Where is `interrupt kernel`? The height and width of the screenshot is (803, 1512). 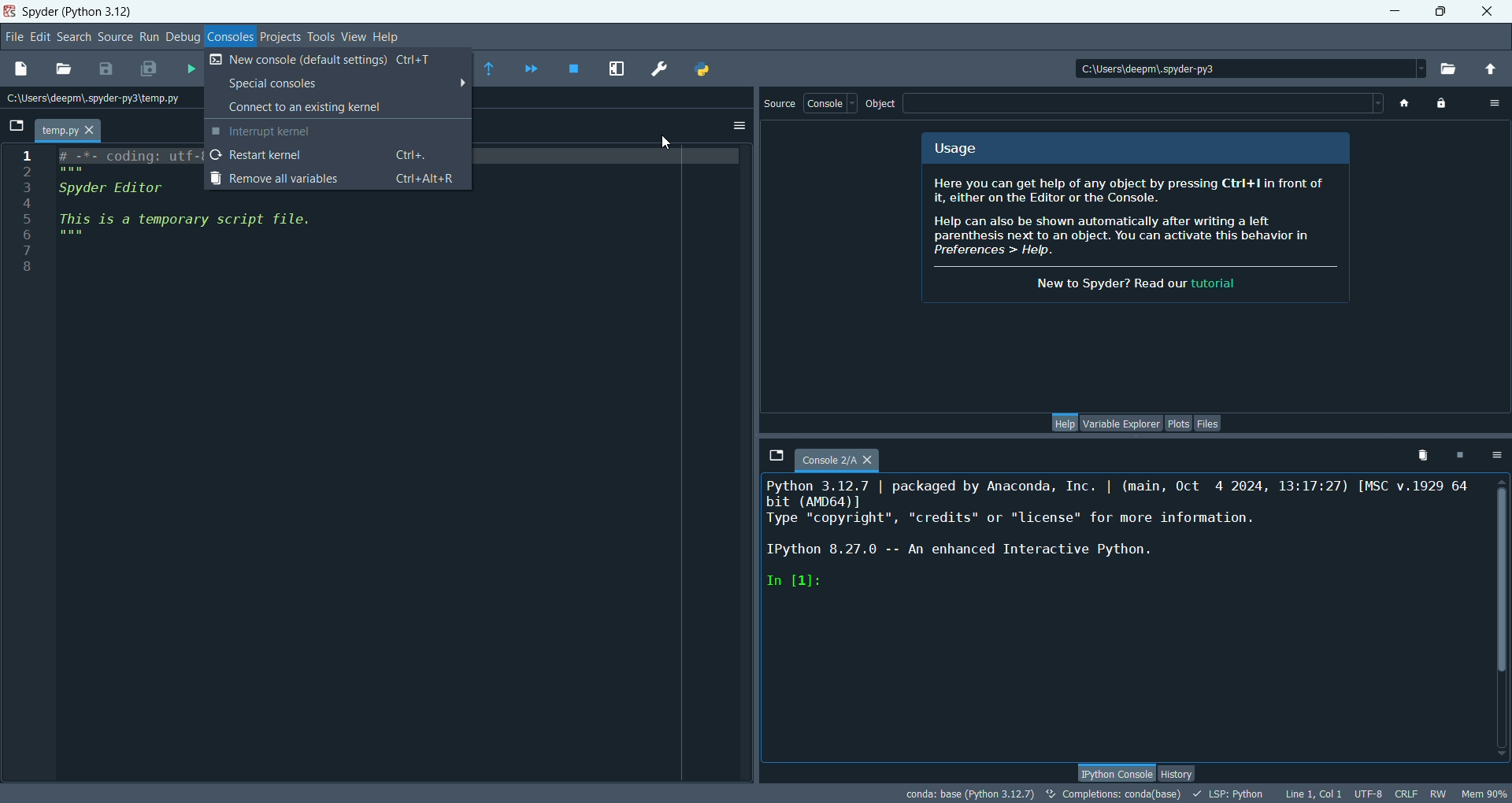
interrupt kernel is located at coordinates (338, 131).